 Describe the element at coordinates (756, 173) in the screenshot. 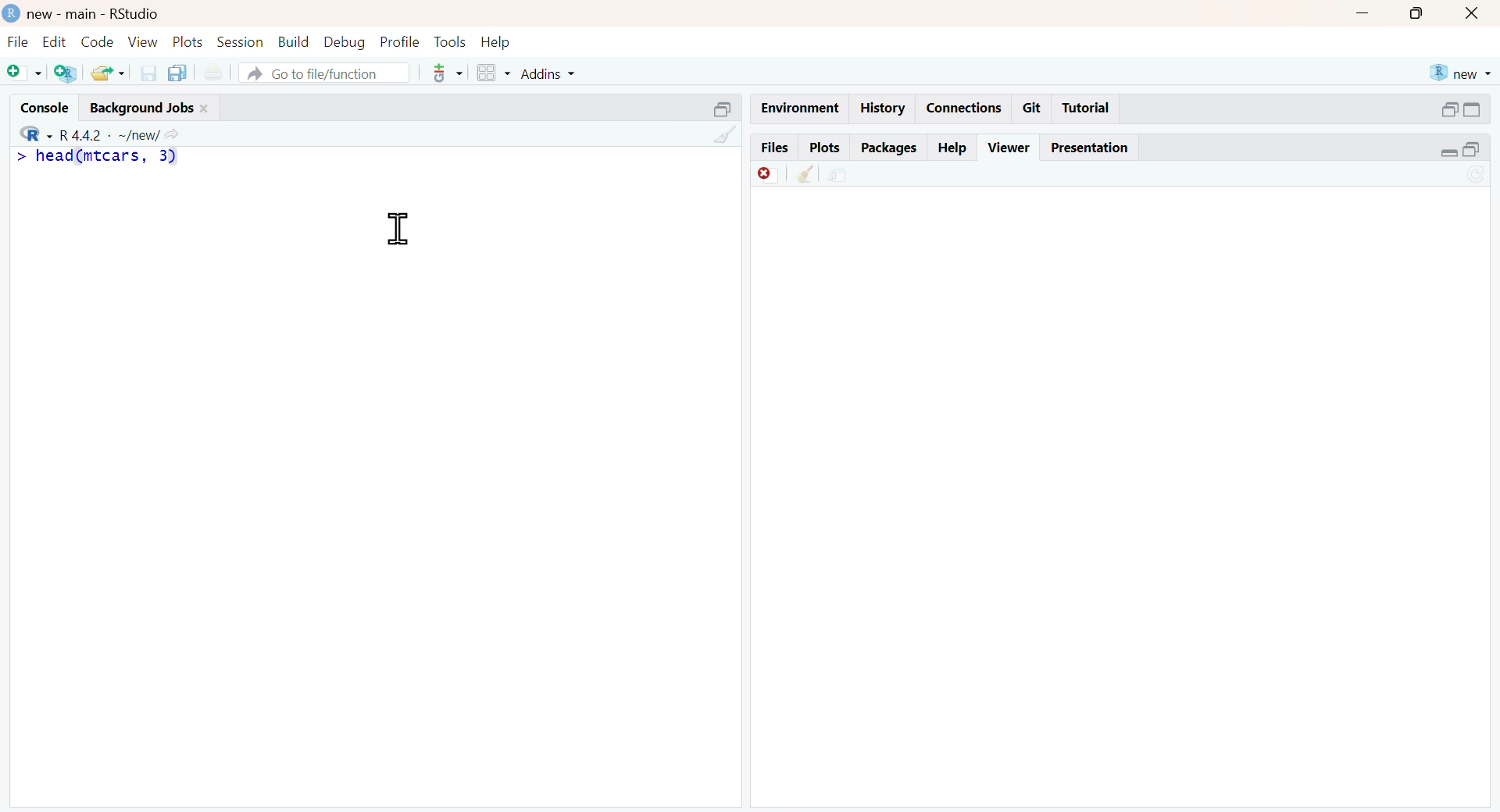

I see `Remove current viewer tem` at that location.